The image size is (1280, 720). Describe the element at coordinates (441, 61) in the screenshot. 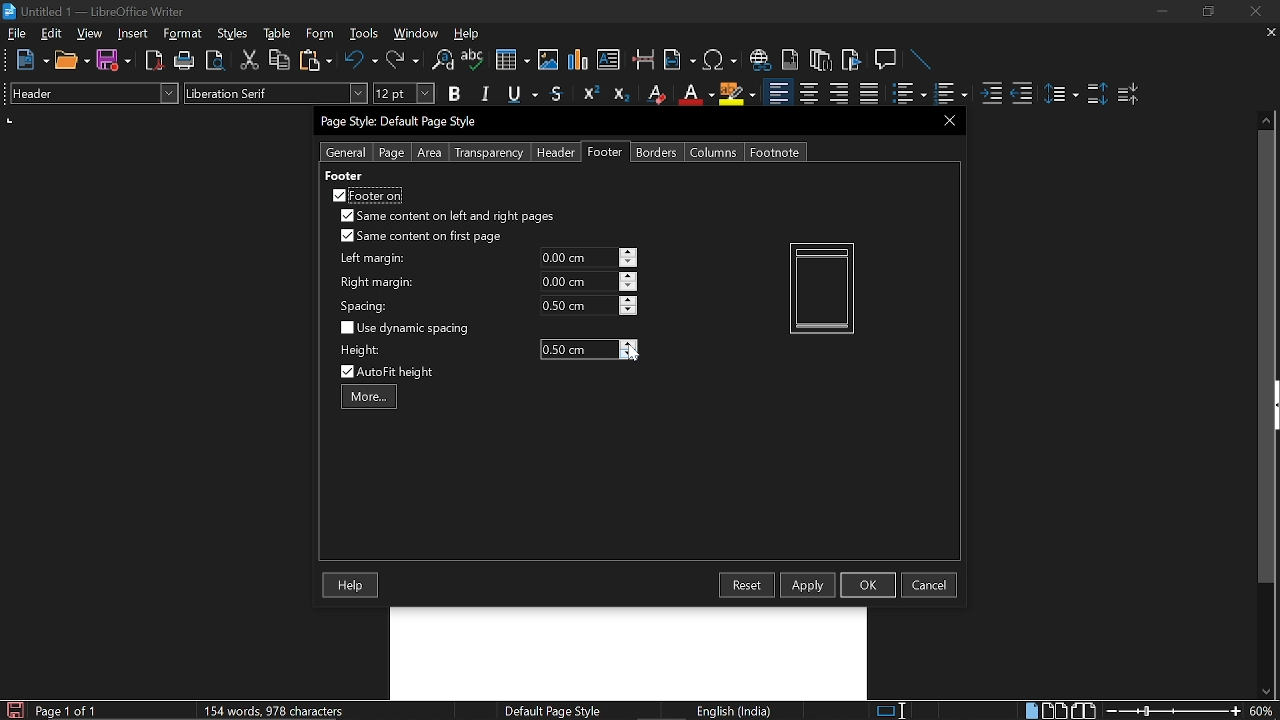

I see `Find and replace` at that location.